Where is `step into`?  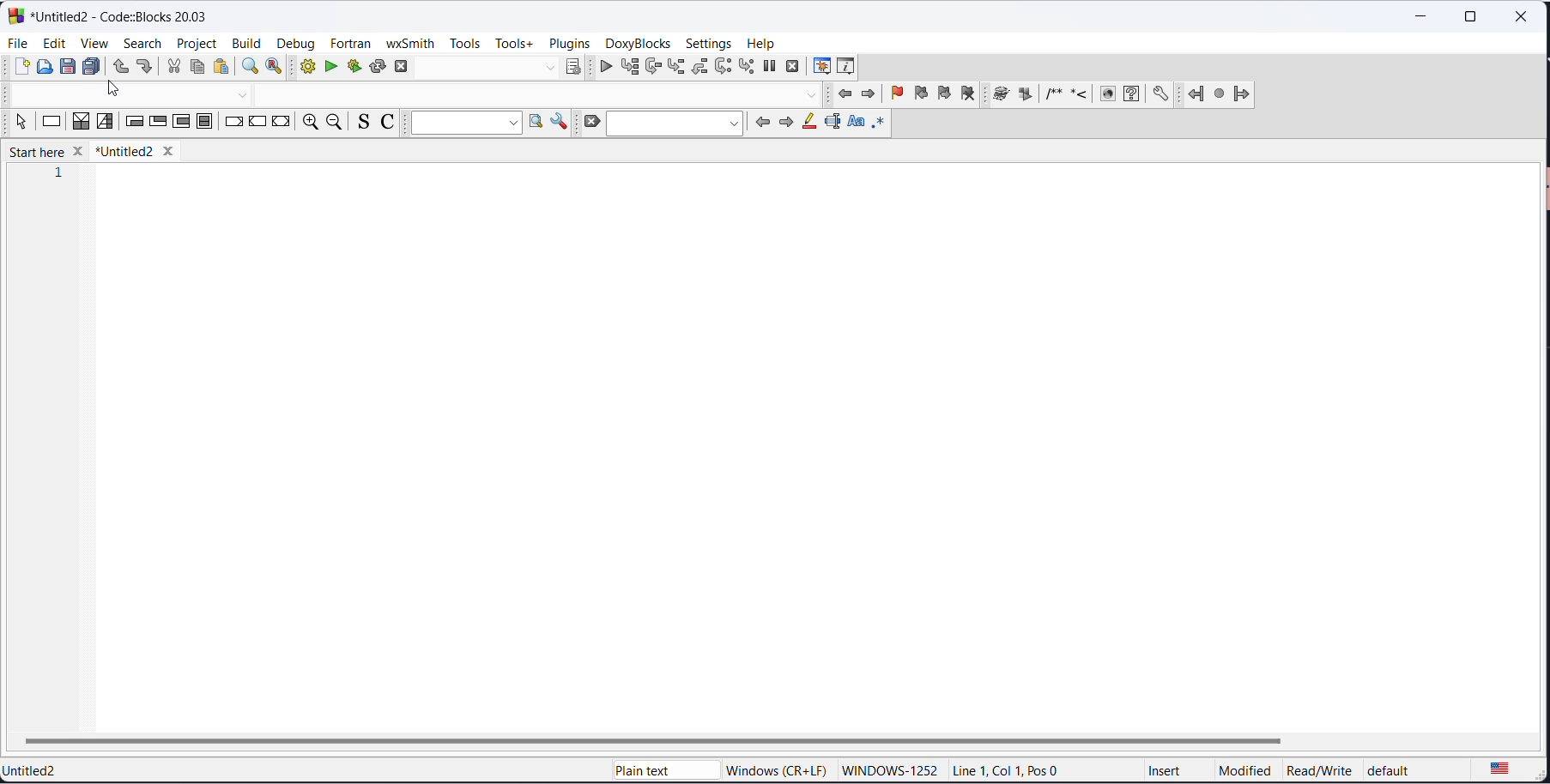
step into is located at coordinates (675, 69).